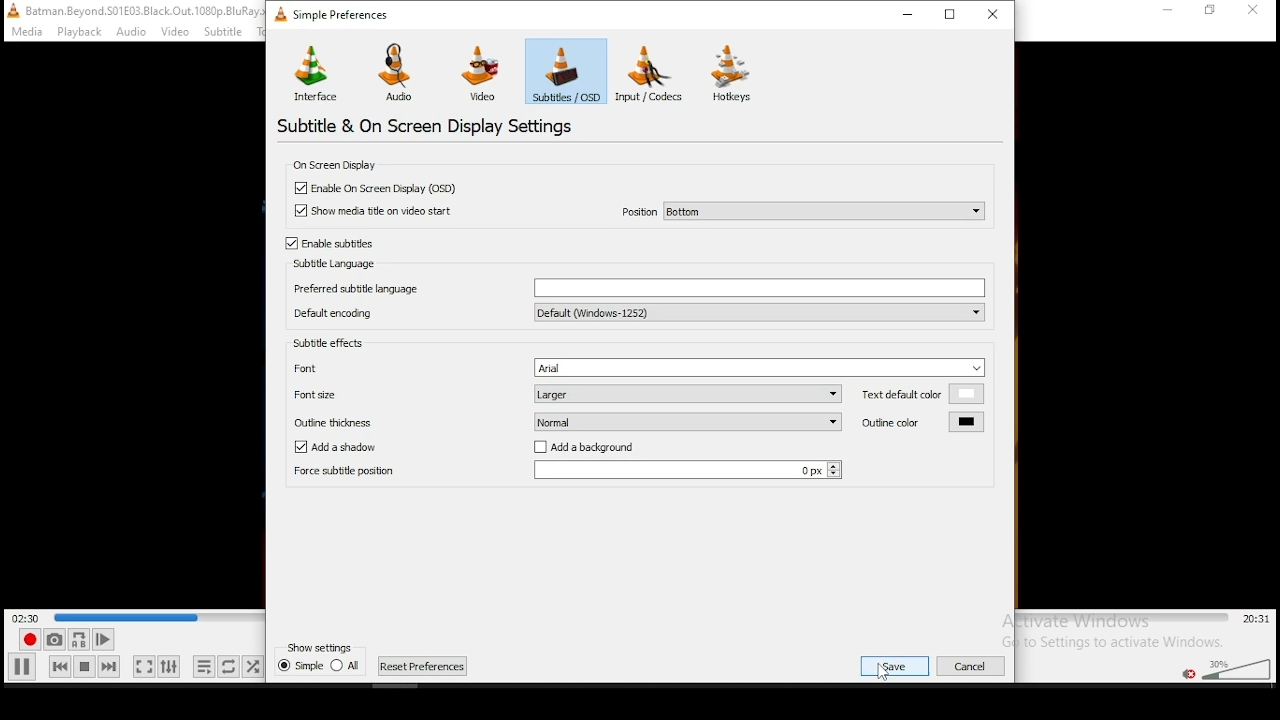 The image size is (1280, 720). Describe the element at coordinates (336, 18) in the screenshot. I see `simple preferences` at that location.